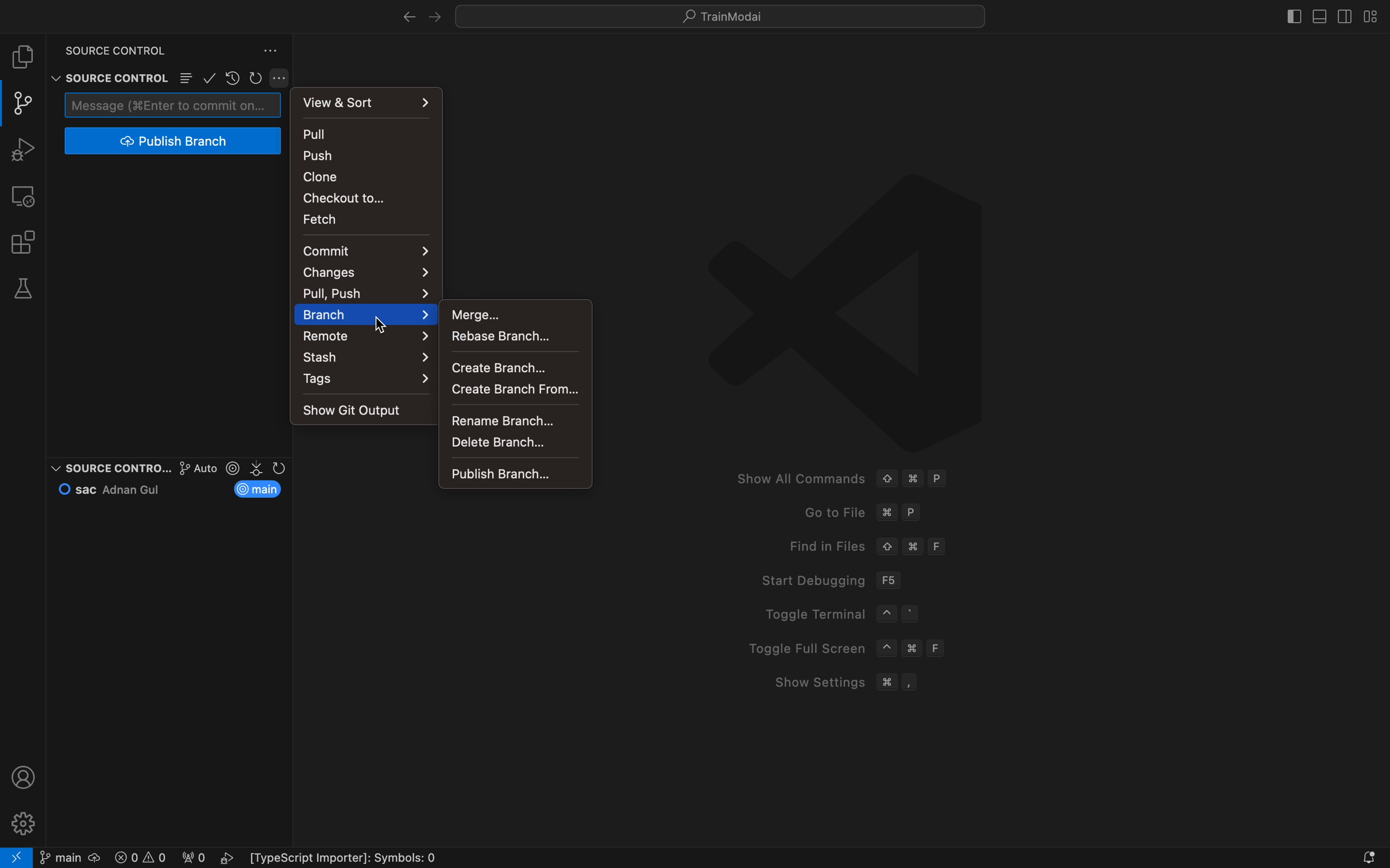 This screenshot has height=868, width=1390. Describe the element at coordinates (26, 195) in the screenshot. I see `remote` at that location.